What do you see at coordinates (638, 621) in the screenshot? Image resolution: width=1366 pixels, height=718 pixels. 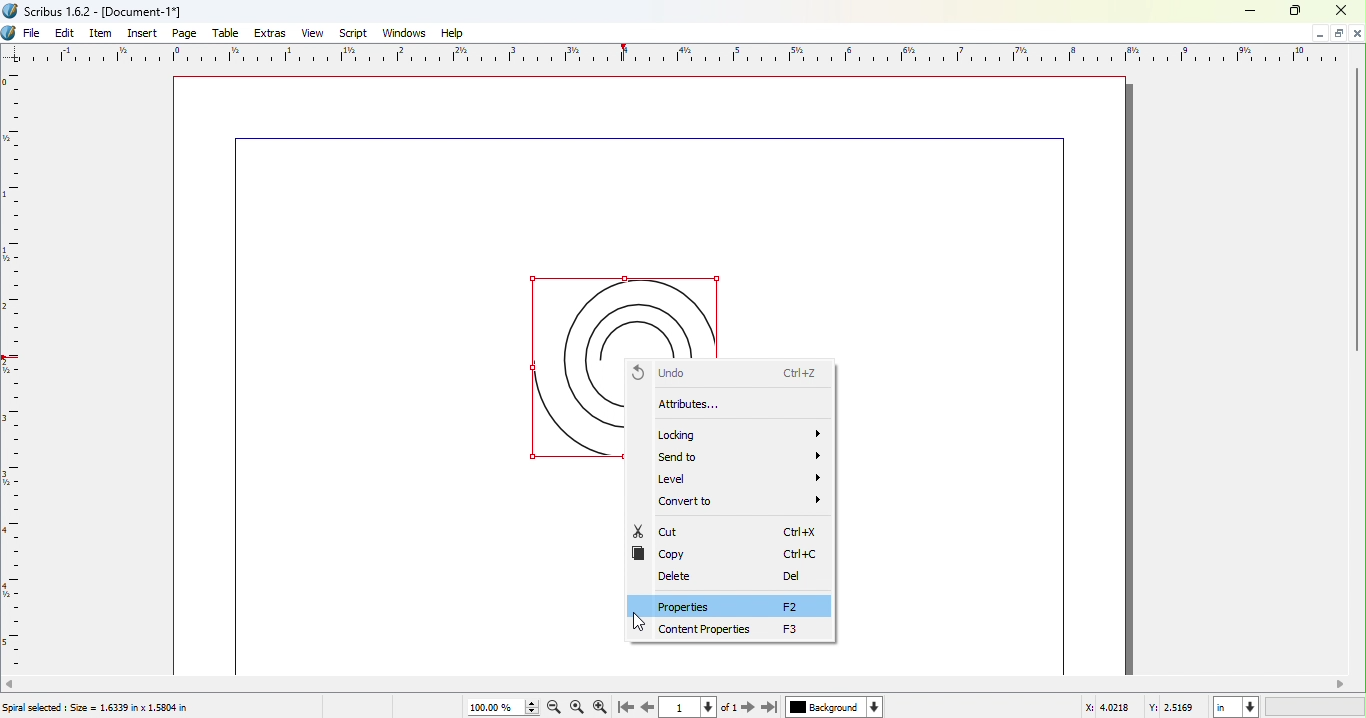 I see `Cursor` at bounding box center [638, 621].